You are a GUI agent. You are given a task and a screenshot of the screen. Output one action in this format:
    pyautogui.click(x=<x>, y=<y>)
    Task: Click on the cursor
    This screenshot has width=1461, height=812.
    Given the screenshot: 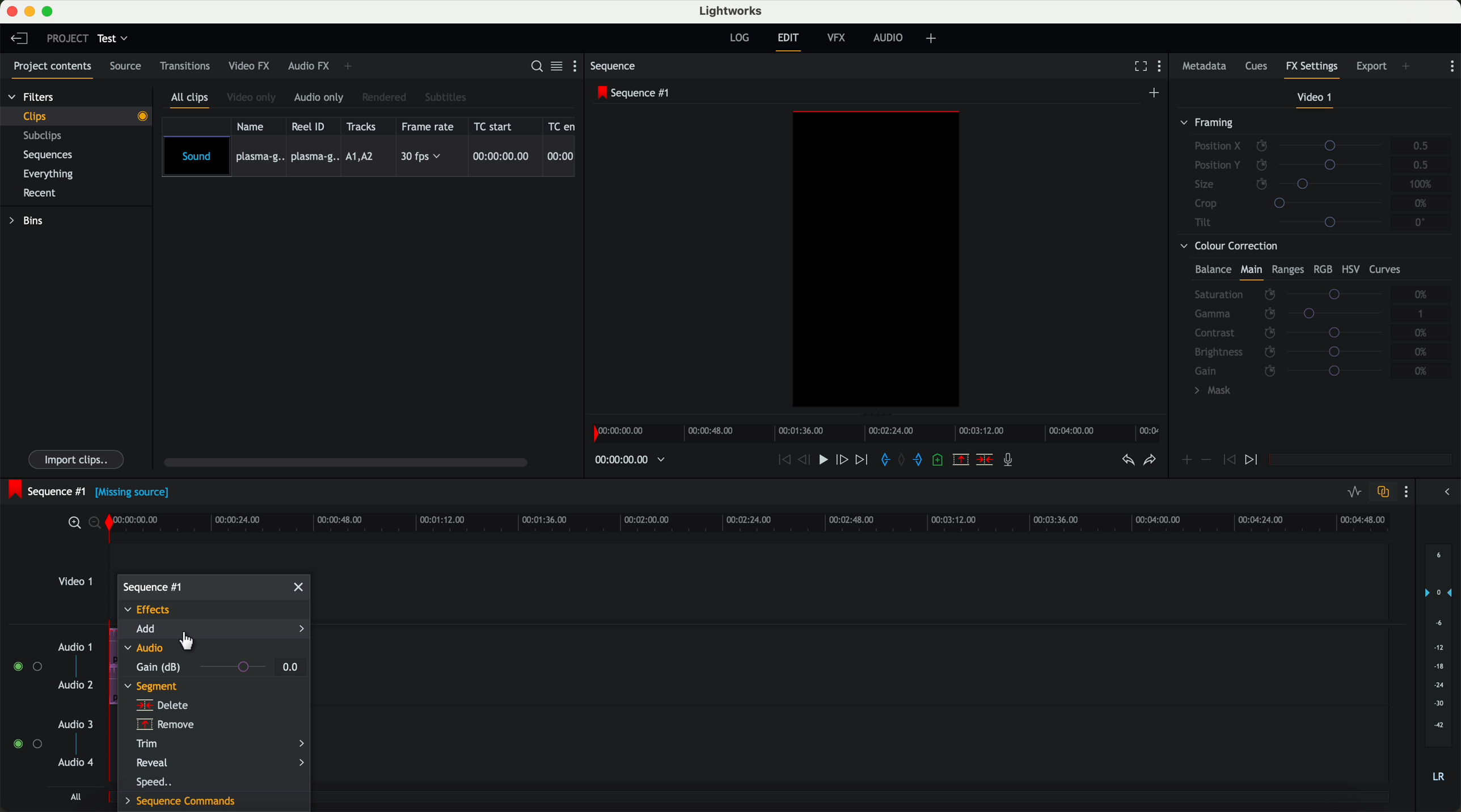 What is the action you would take?
    pyautogui.click(x=188, y=643)
    